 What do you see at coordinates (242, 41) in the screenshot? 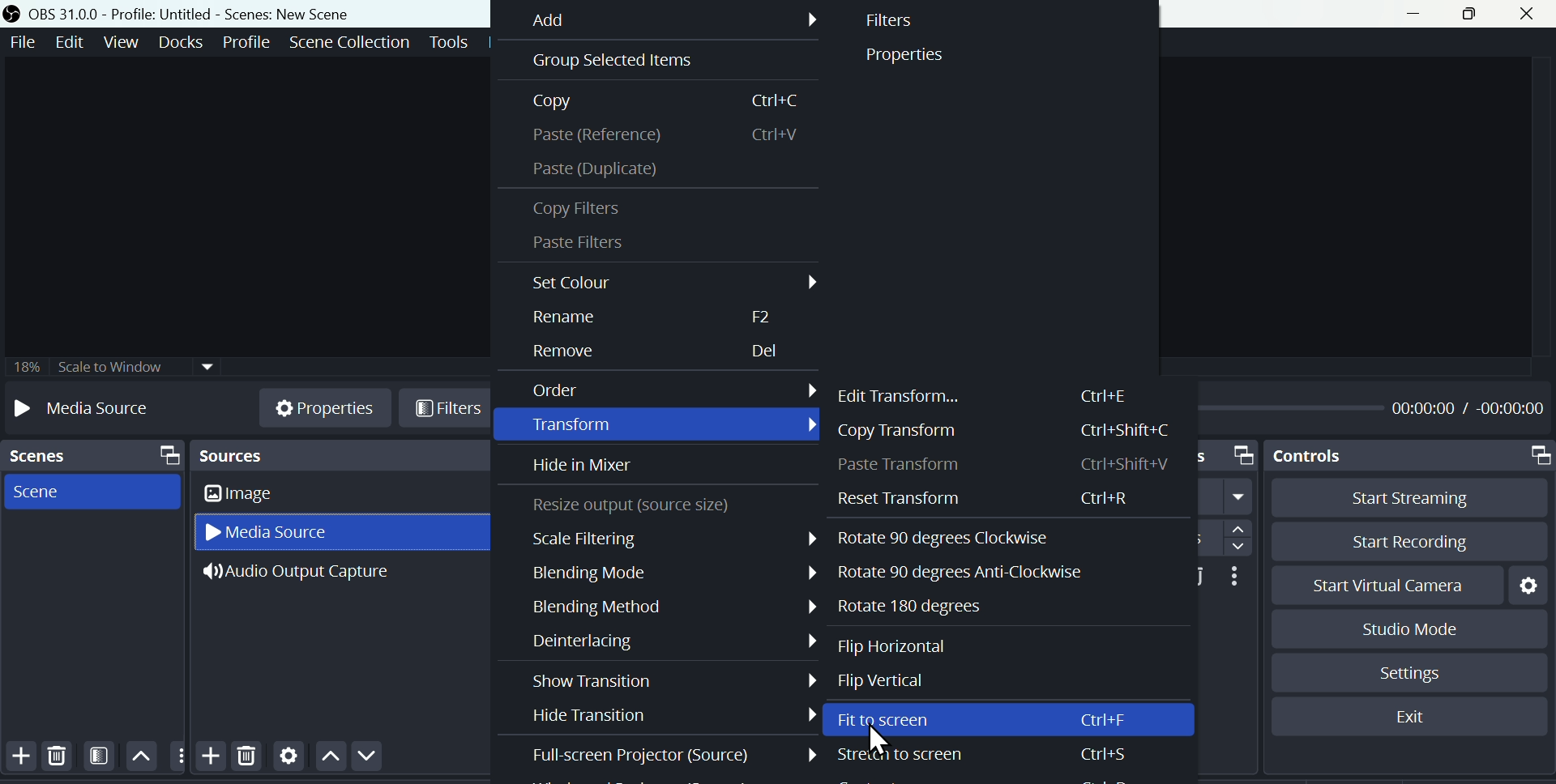
I see `Profile` at bounding box center [242, 41].